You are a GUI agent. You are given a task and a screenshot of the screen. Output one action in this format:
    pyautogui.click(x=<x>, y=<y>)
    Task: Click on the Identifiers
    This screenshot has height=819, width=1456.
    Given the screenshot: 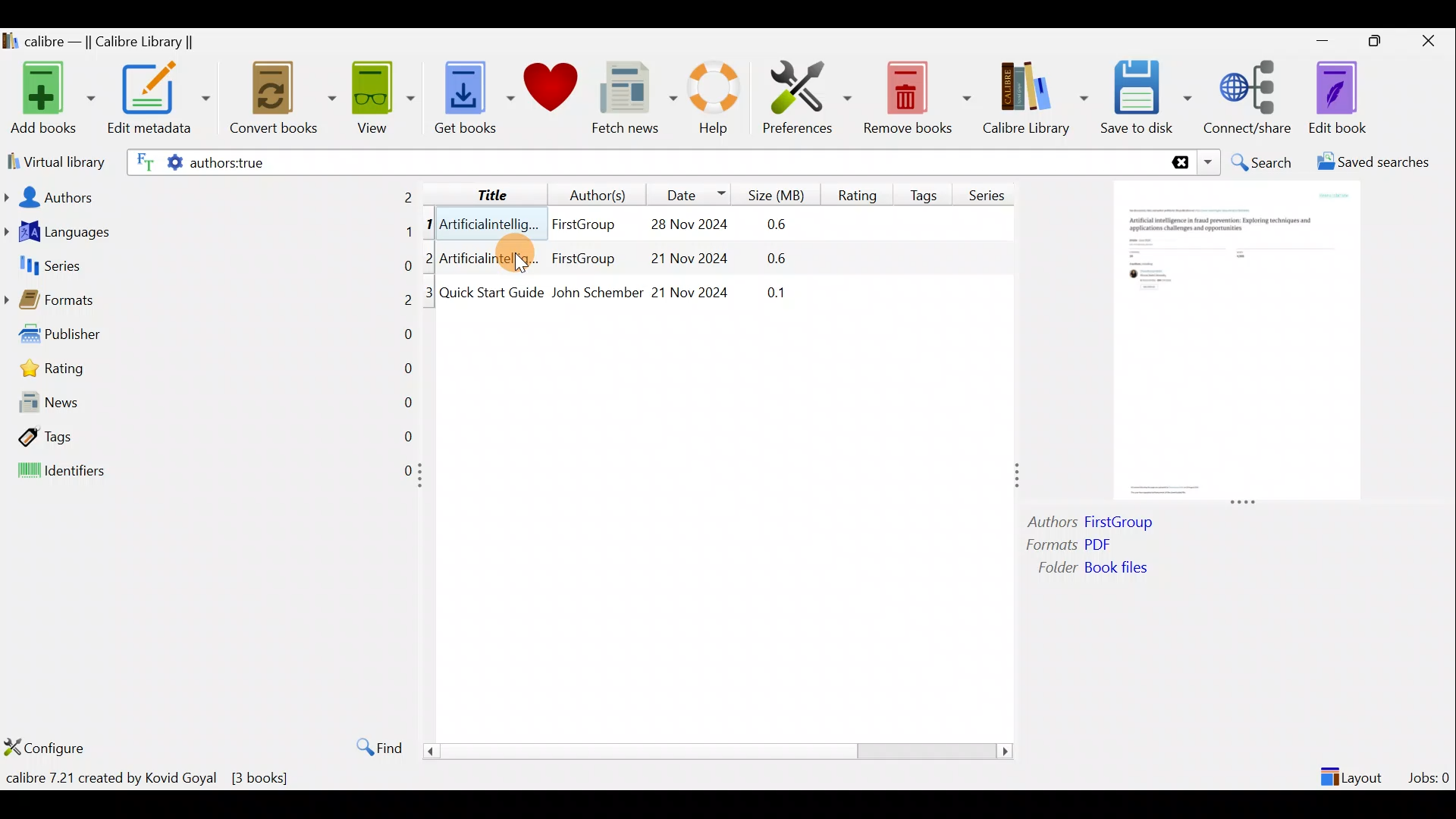 What is the action you would take?
    pyautogui.click(x=206, y=472)
    